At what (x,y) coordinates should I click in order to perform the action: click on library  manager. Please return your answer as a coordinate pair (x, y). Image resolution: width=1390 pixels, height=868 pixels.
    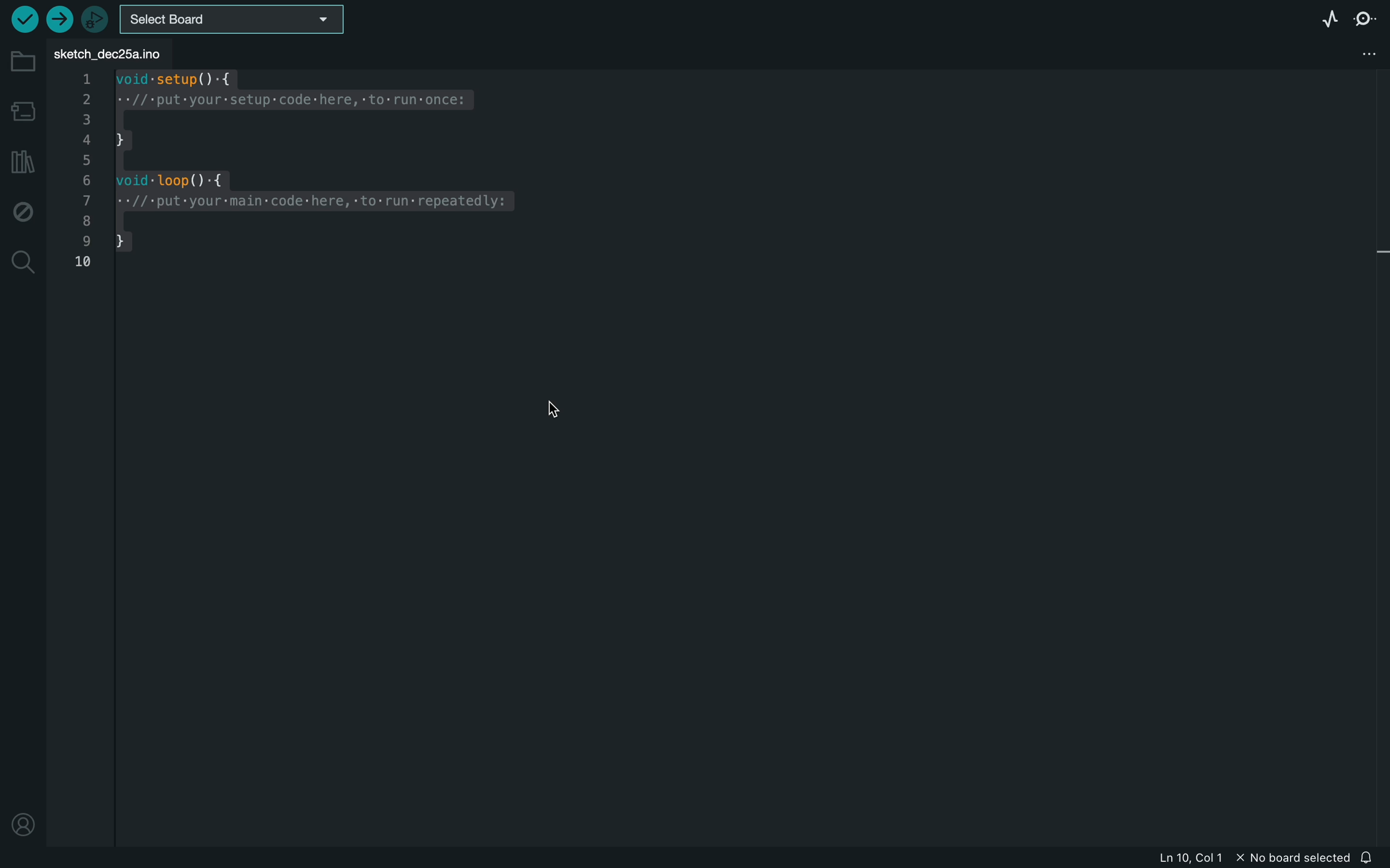
    Looking at the image, I should click on (21, 161).